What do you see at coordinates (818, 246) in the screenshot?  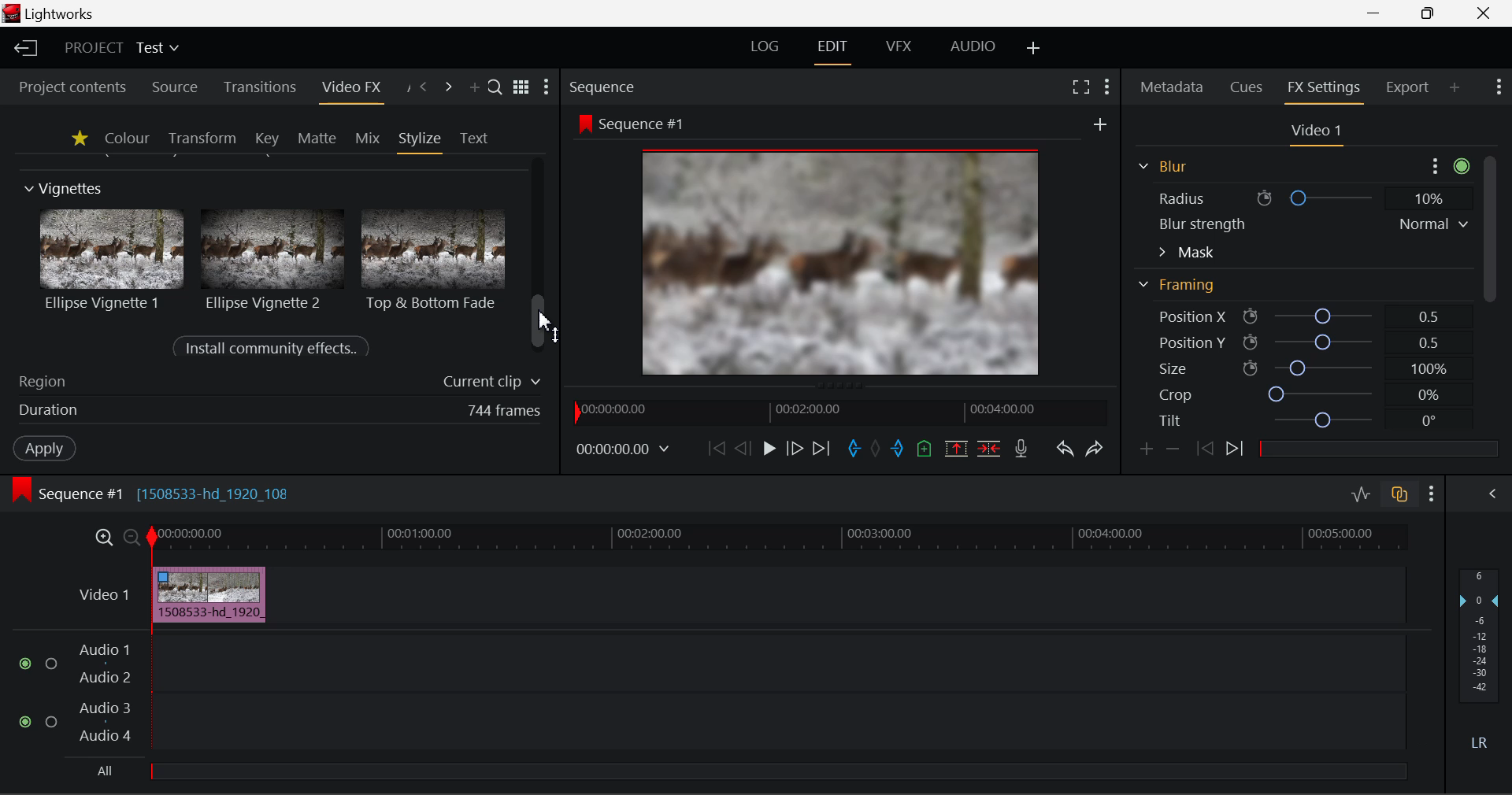 I see `Effect Visible in Preview` at bounding box center [818, 246].